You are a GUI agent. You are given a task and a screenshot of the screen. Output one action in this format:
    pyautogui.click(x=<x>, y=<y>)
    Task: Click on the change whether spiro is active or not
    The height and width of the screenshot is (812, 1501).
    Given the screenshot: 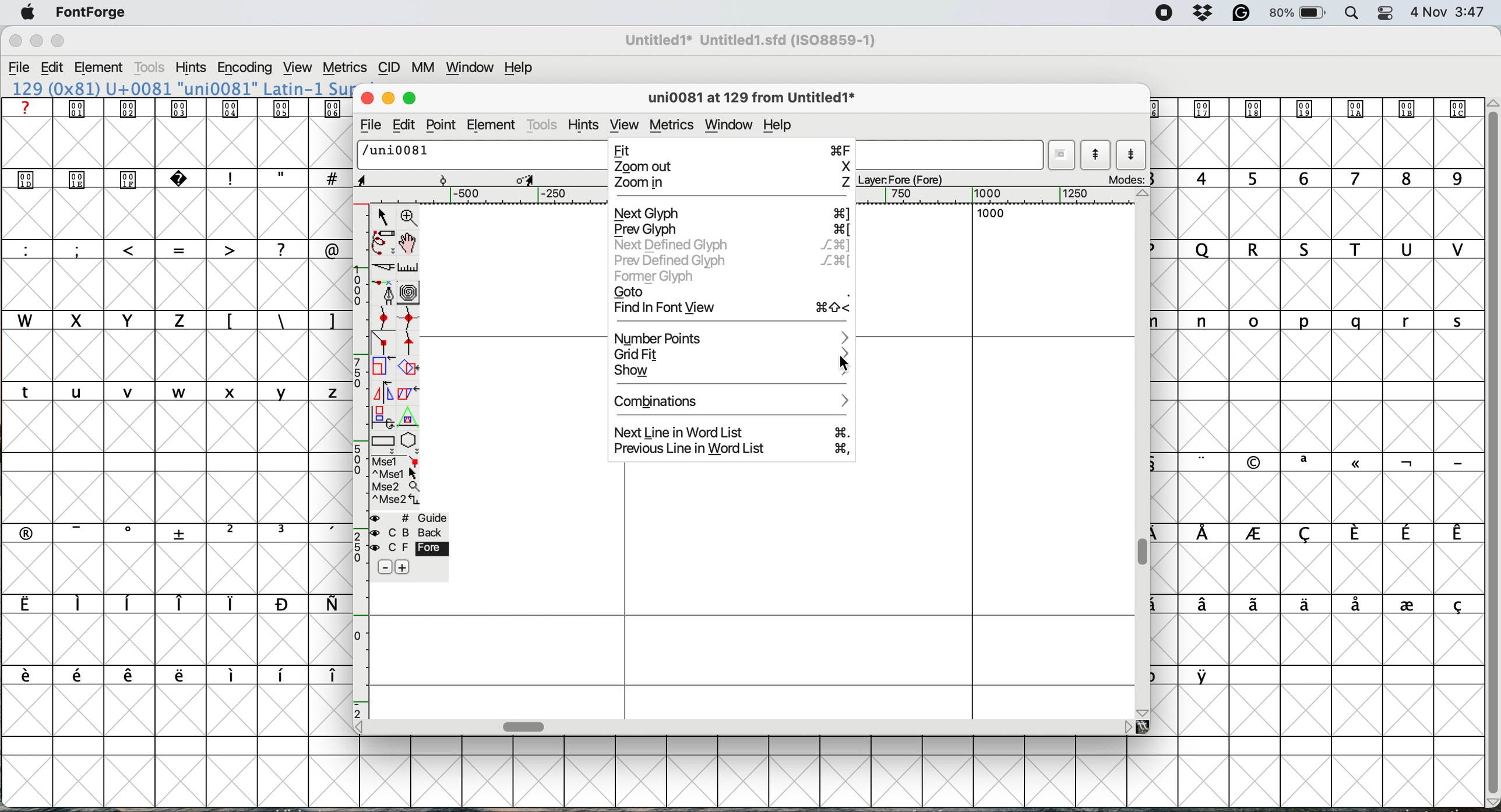 What is the action you would take?
    pyautogui.click(x=409, y=291)
    